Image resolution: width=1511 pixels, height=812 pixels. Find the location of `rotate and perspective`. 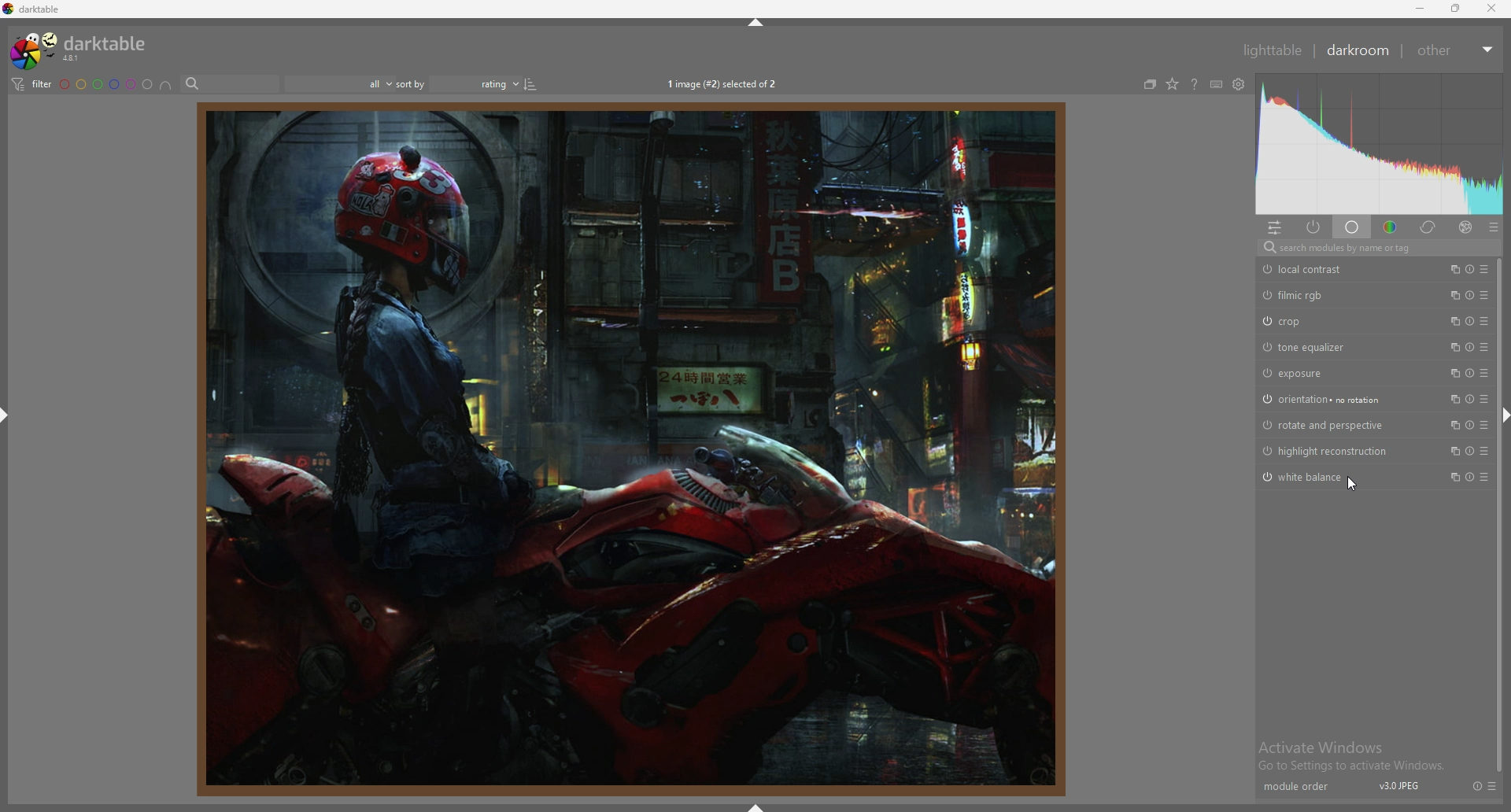

rotate and perspective is located at coordinates (1326, 426).